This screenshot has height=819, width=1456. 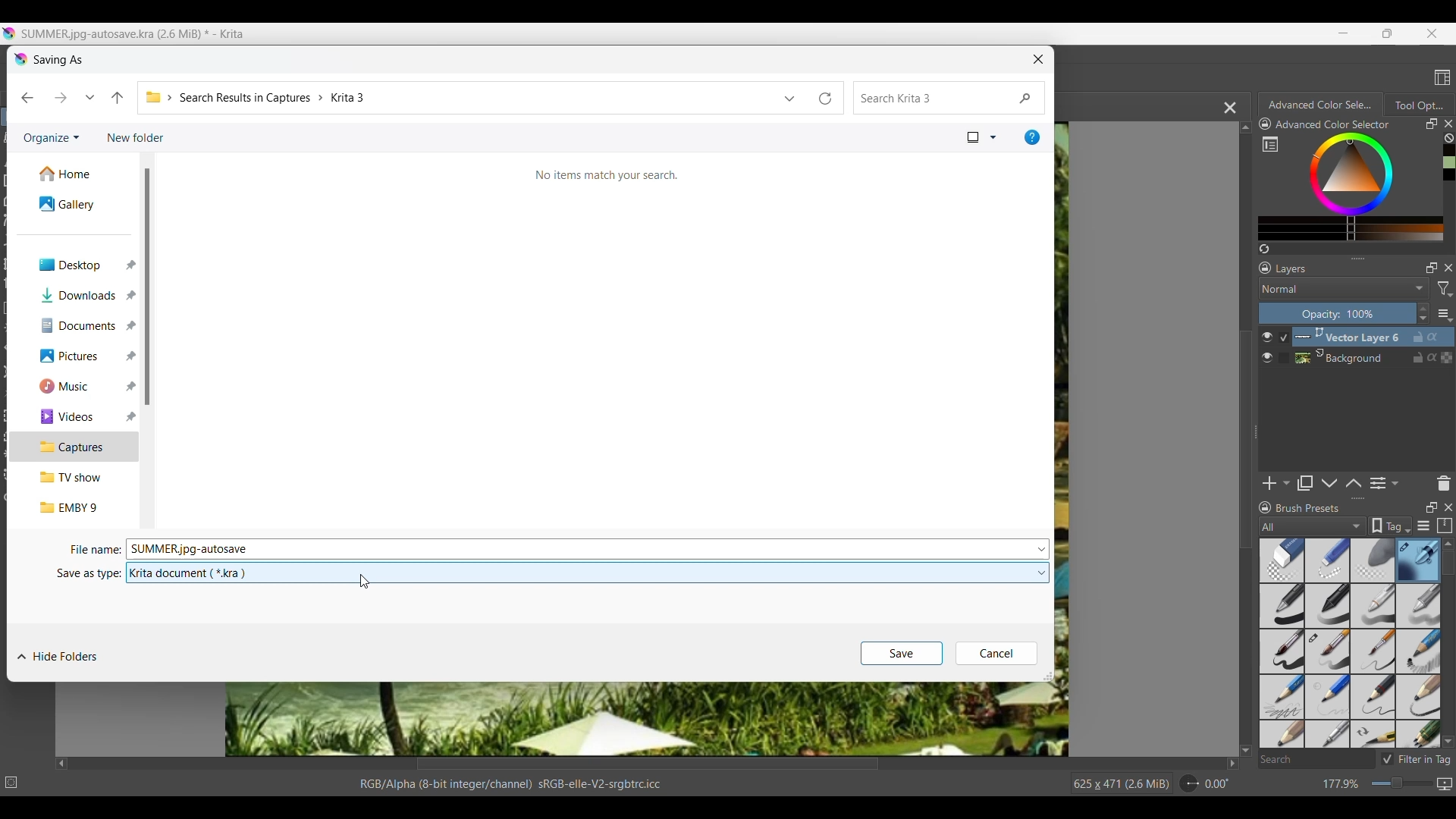 I want to click on Change height of panels attached to this line, so click(x=1338, y=258).